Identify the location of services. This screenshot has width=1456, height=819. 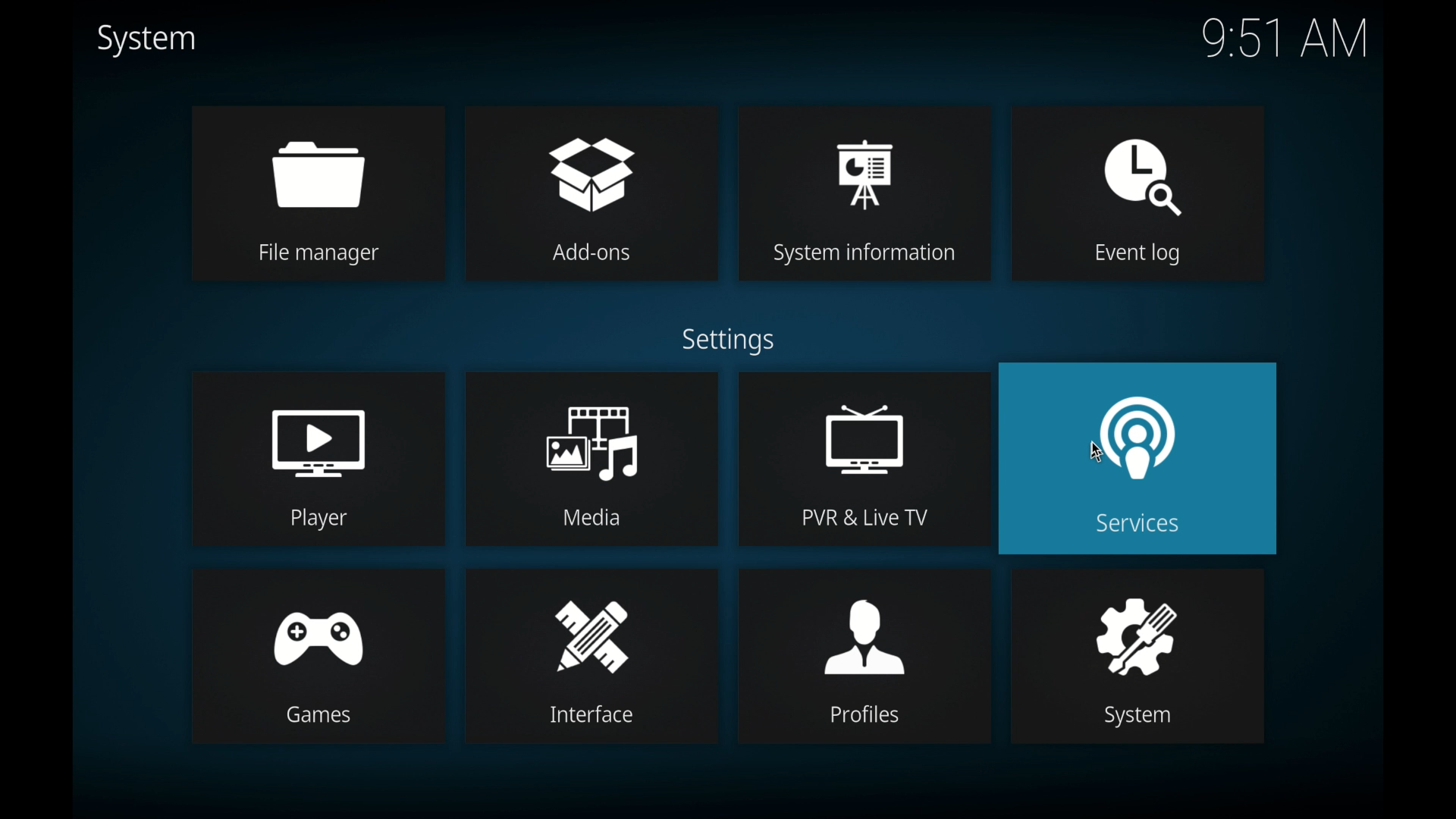
(1138, 458).